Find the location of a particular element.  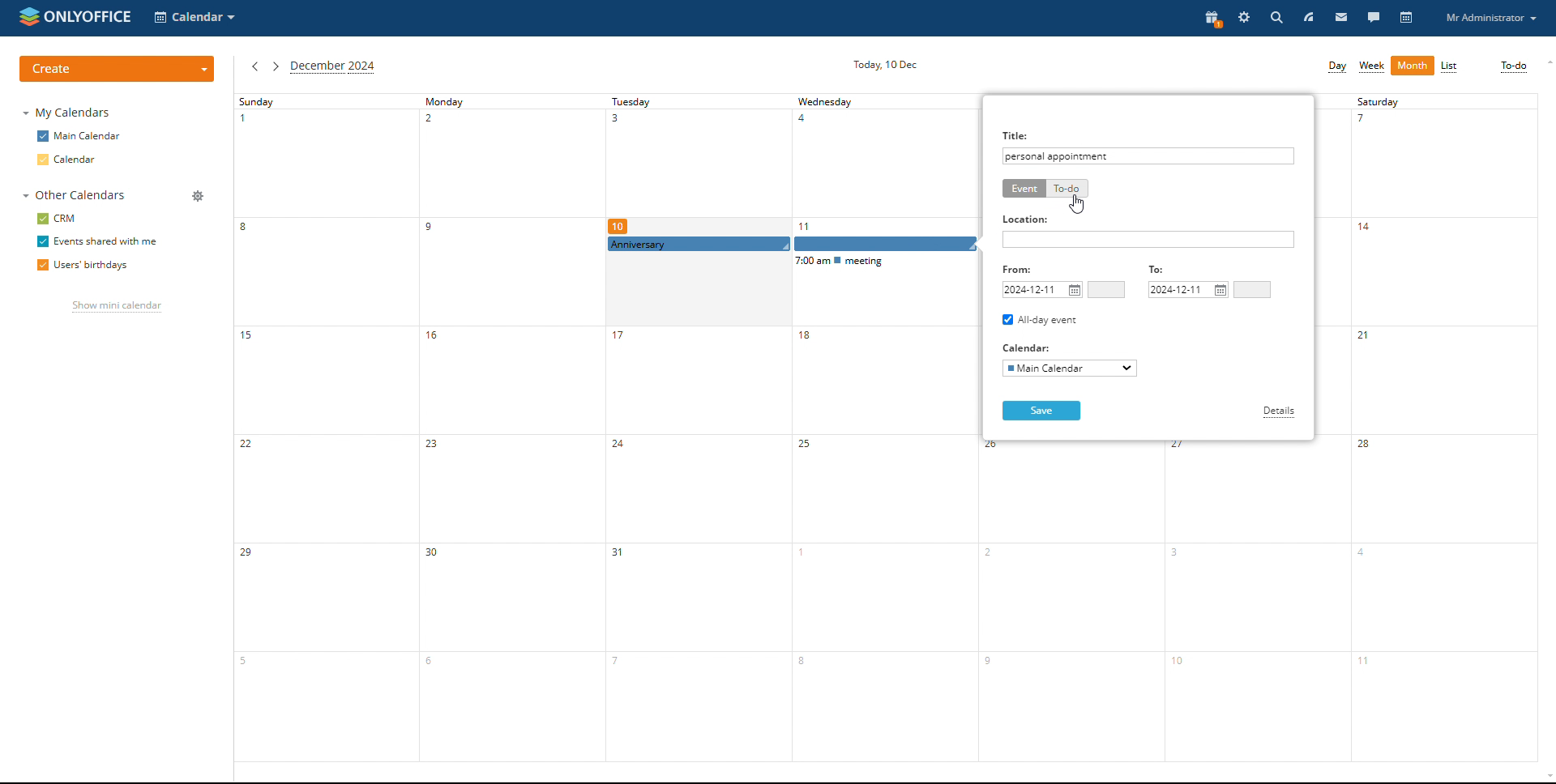

event title is located at coordinates (1059, 156).